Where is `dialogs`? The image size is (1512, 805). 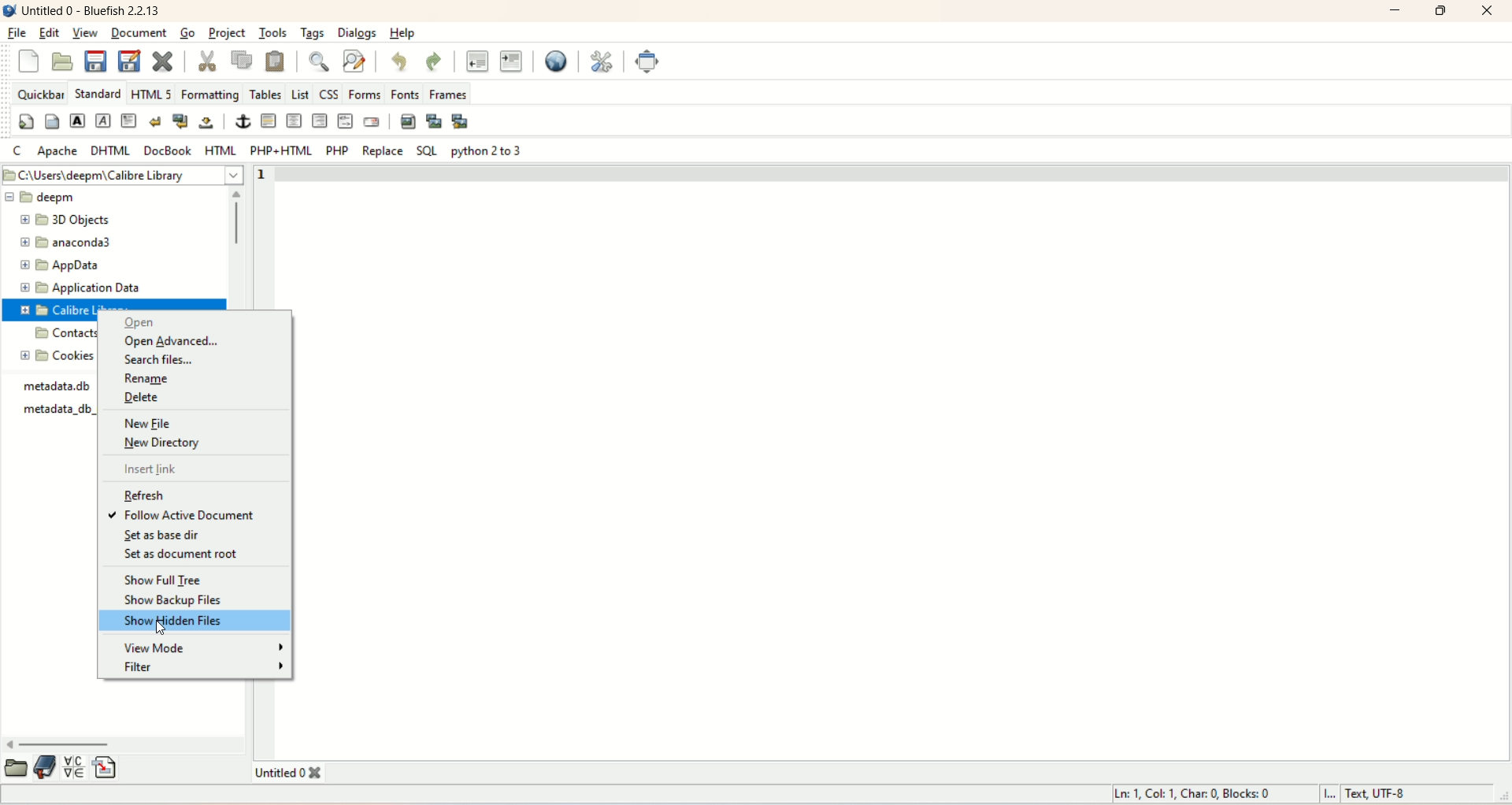
dialogs is located at coordinates (358, 33).